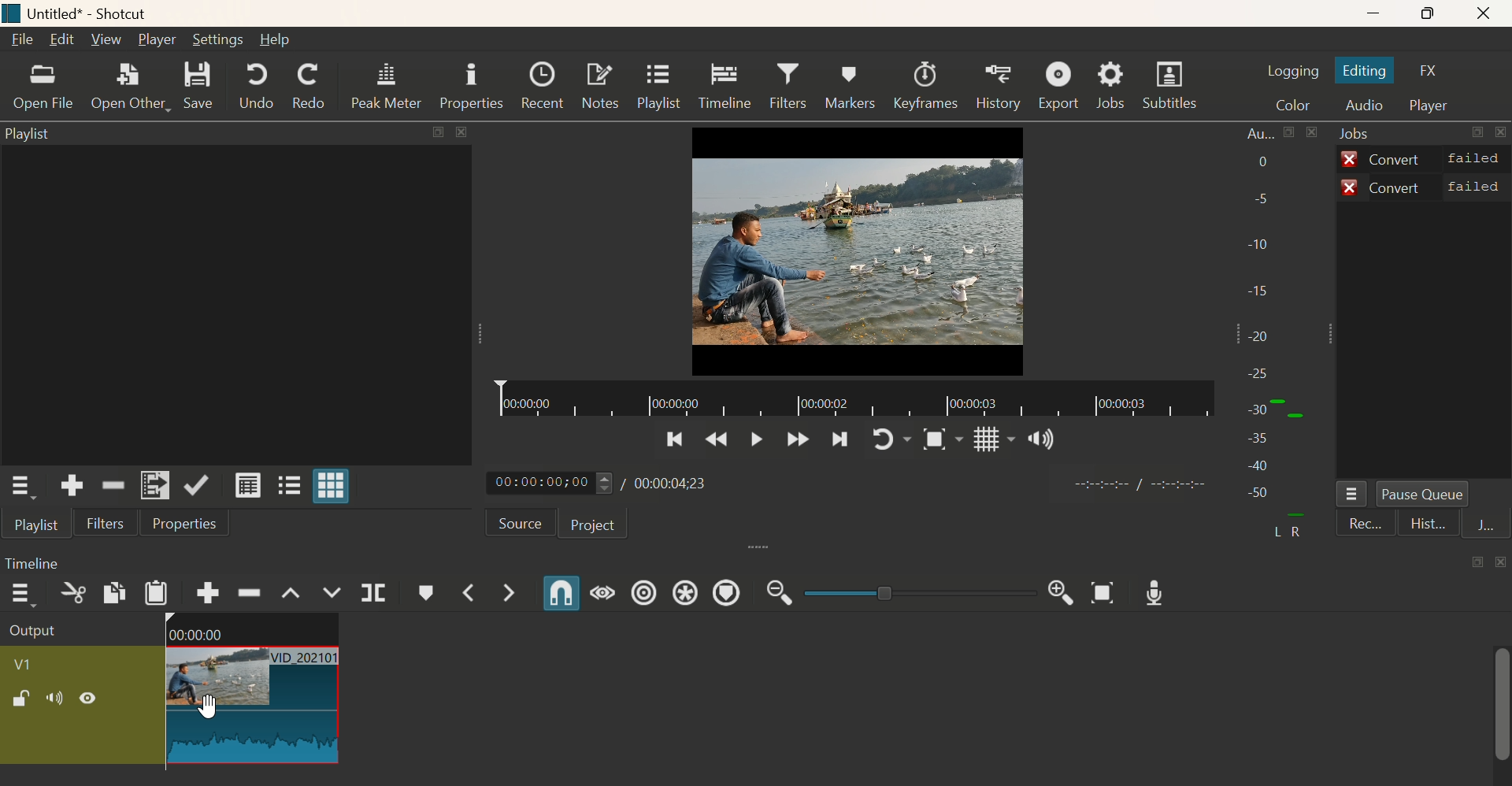 The height and width of the screenshot is (786, 1512). What do you see at coordinates (309, 86) in the screenshot?
I see `Redo` at bounding box center [309, 86].